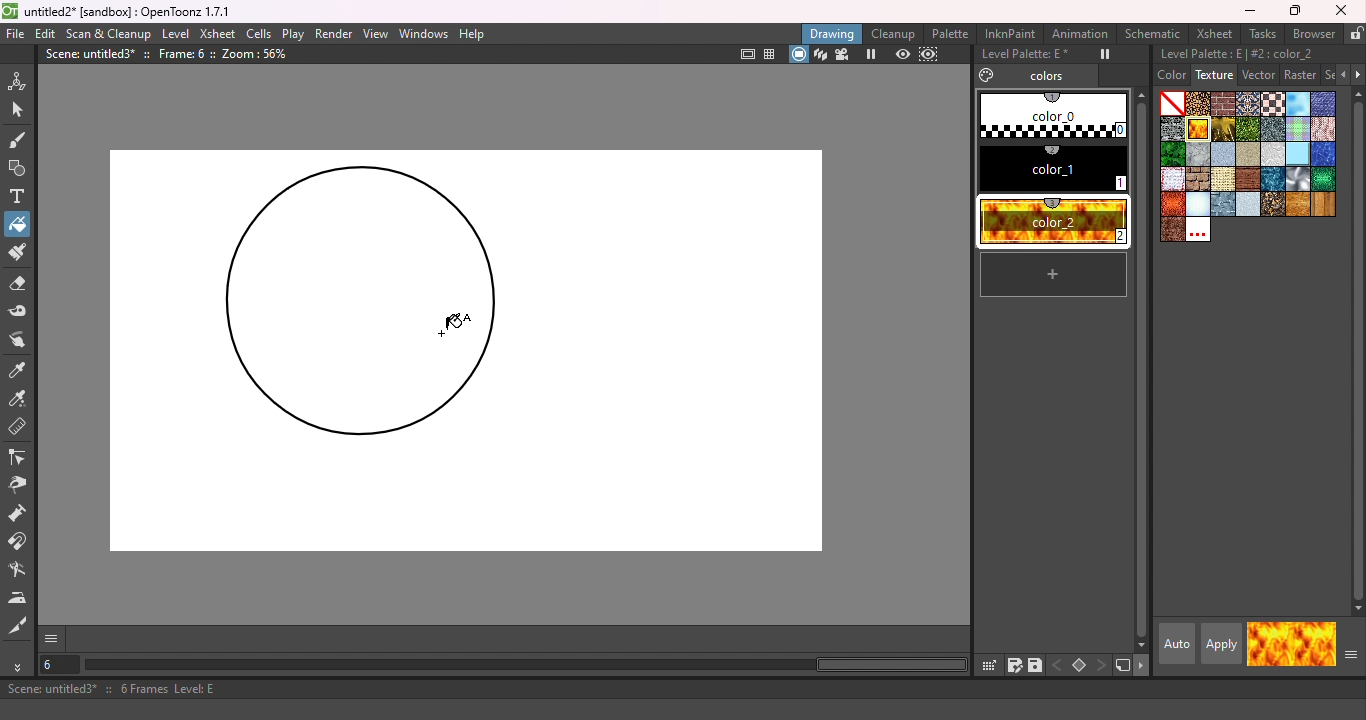 The width and height of the screenshot is (1366, 720). What do you see at coordinates (1291, 11) in the screenshot?
I see `Maximize` at bounding box center [1291, 11].